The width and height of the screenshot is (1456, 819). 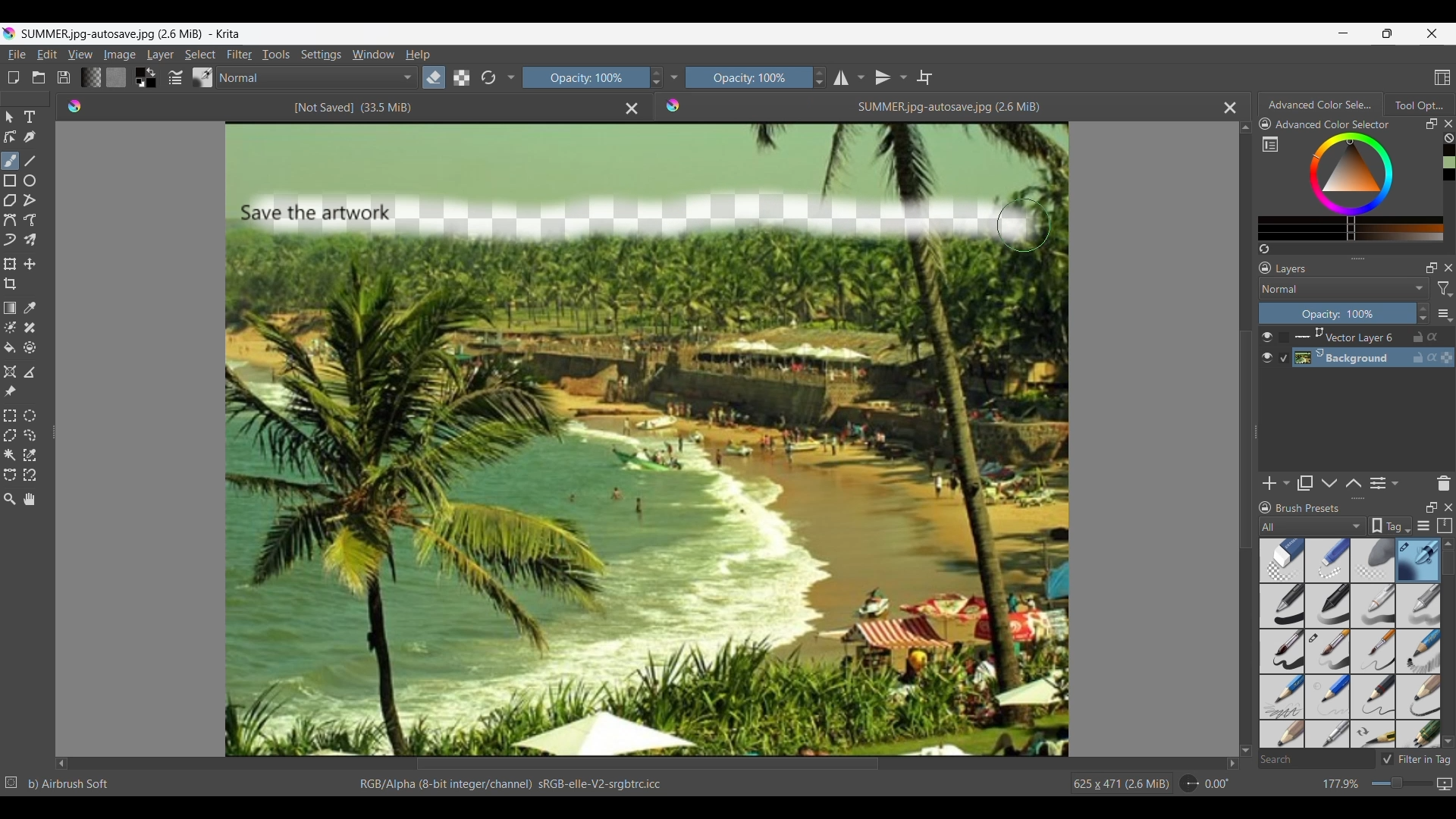 I want to click on Change height of panels attached to this line, so click(x=1357, y=258).